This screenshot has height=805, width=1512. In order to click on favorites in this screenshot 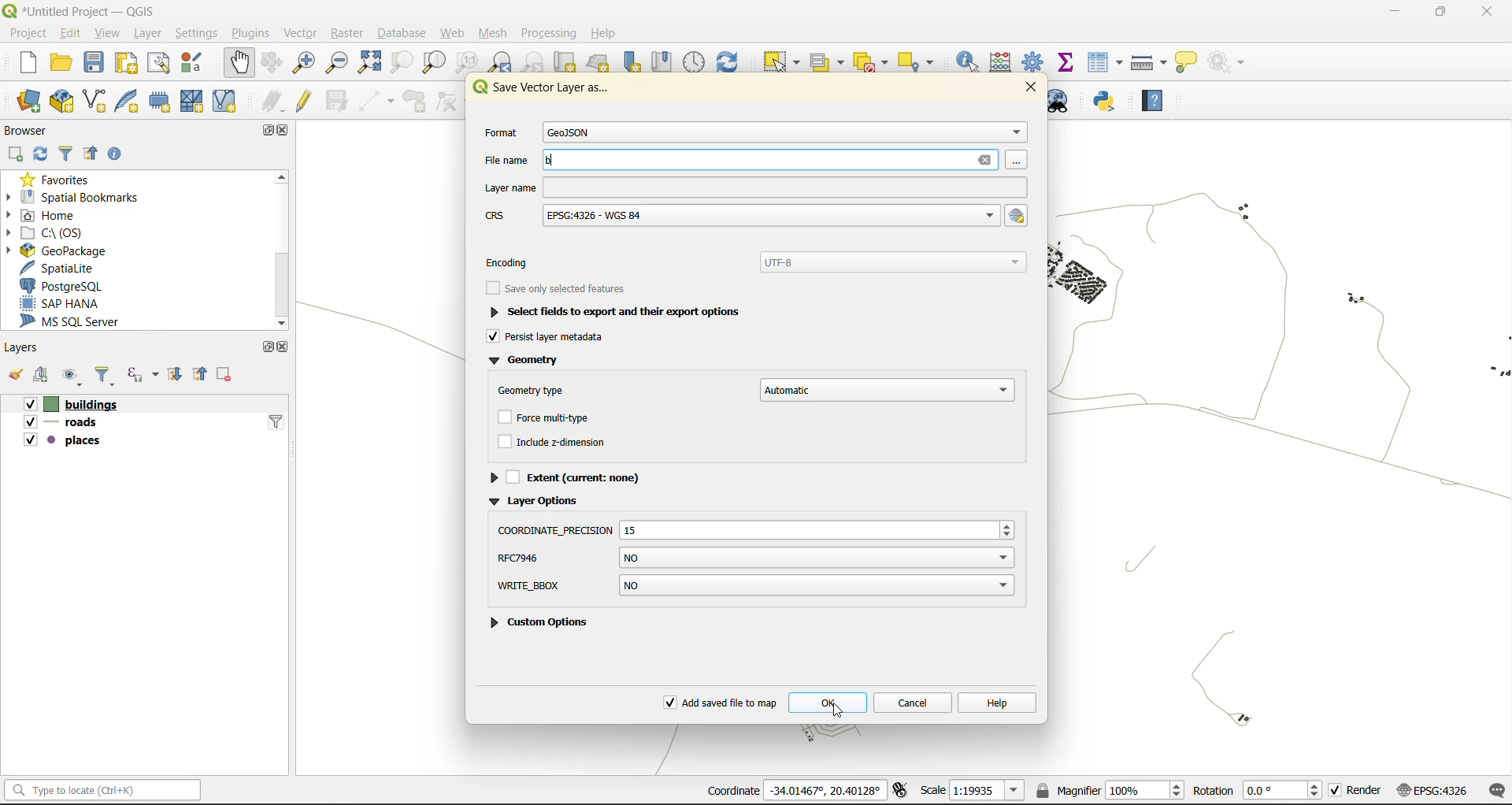, I will do `click(65, 180)`.